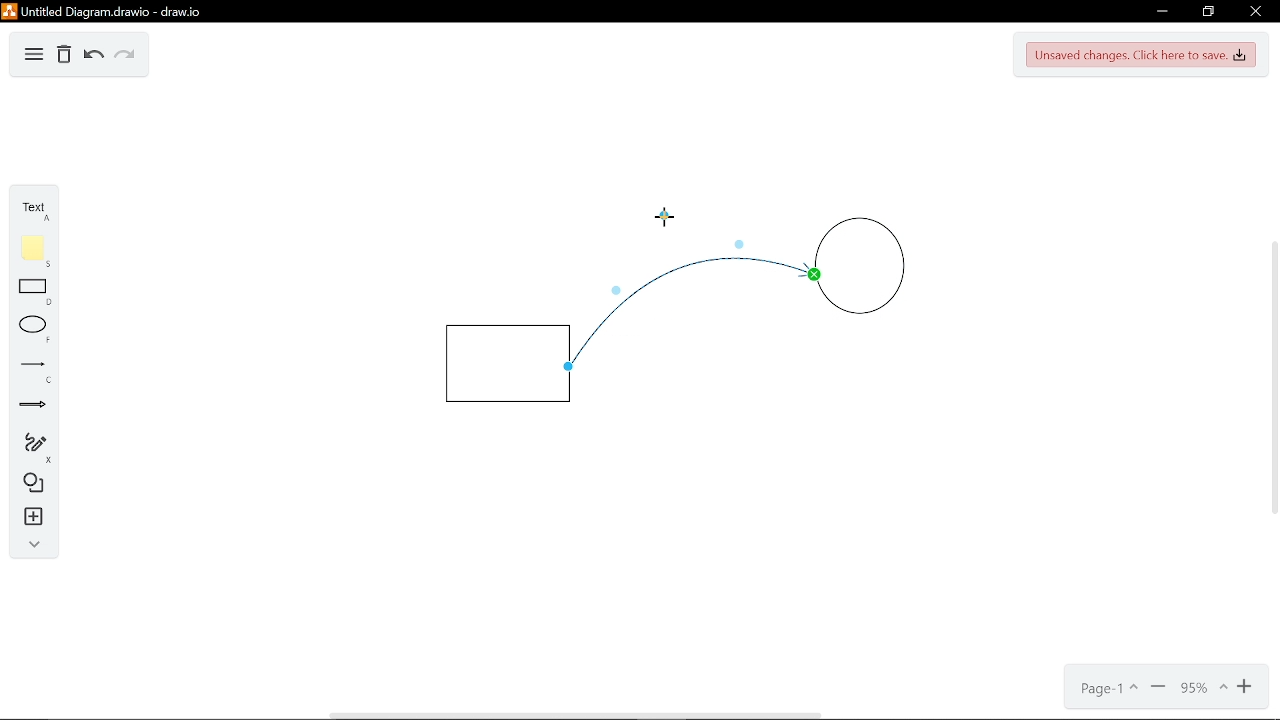 This screenshot has height=720, width=1280. I want to click on Rectangle, so click(29, 292).